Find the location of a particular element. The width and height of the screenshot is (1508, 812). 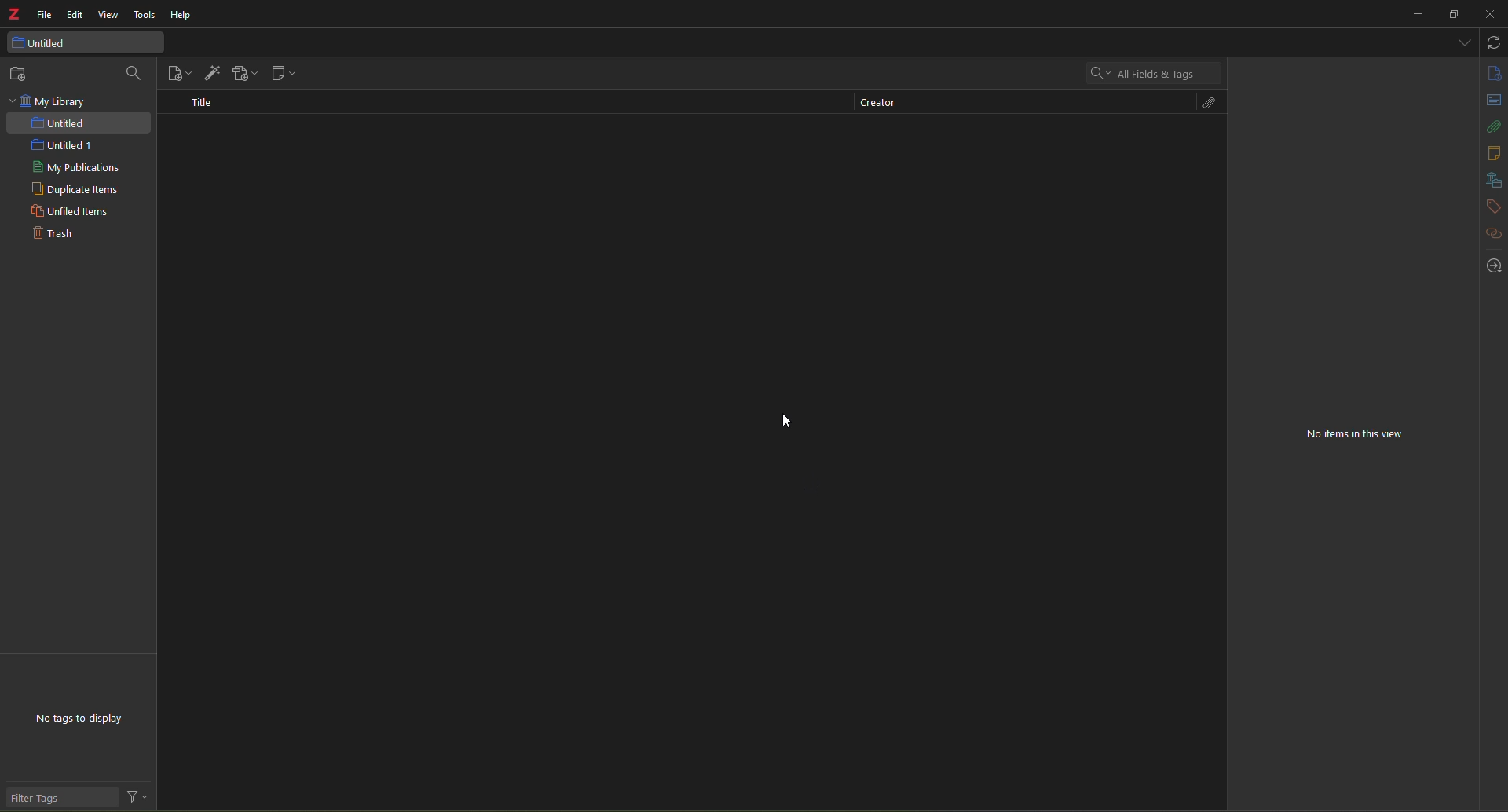

expand is located at coordinates (1466, 306).